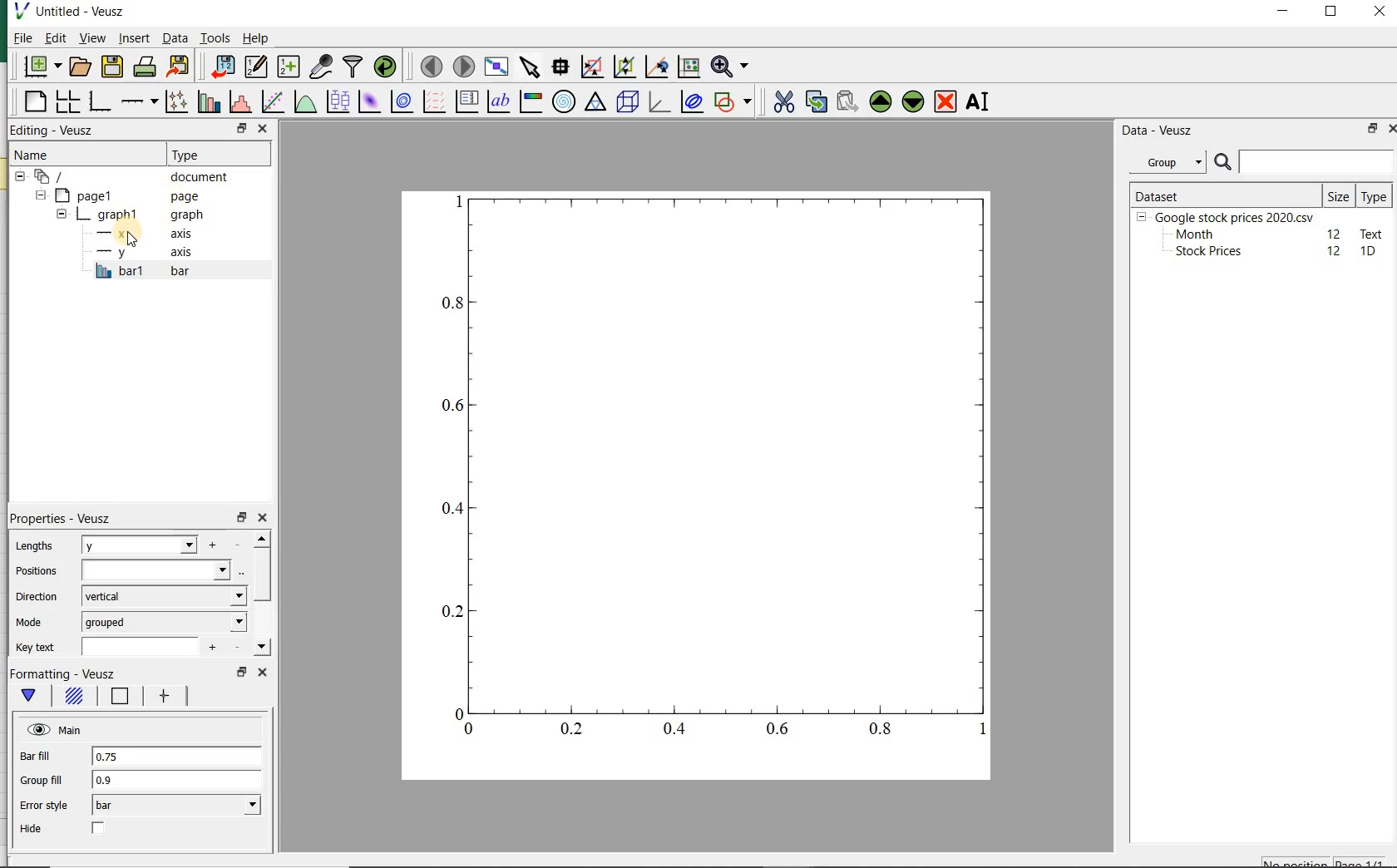 Image resolution: width=1397 pixels, height=868 pixels. What do you see at coordinates (1201, 252) in the screenshot?
I see `Stock prices` at bounding box center [1201, 252].